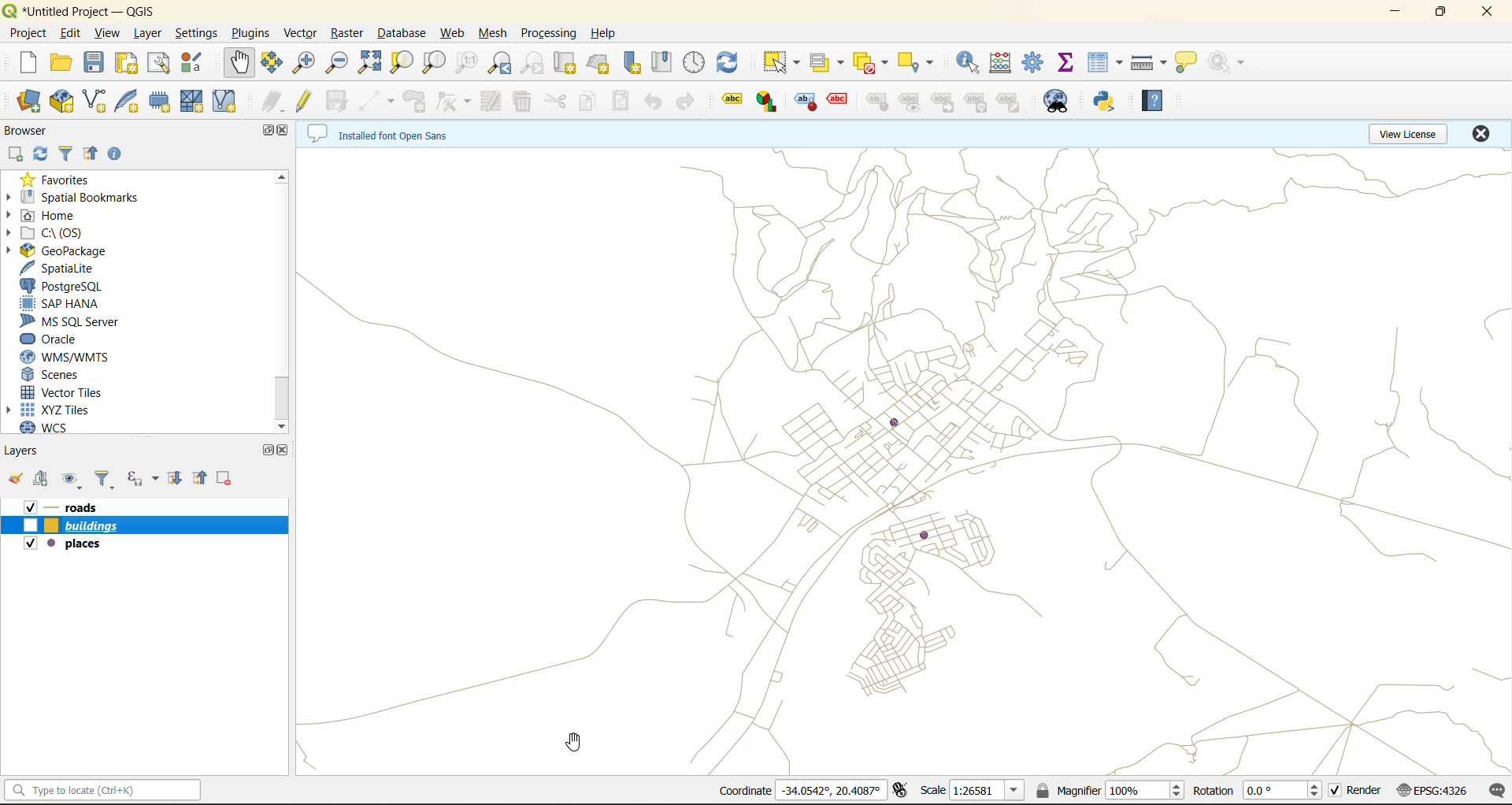 The width and height of the screenshot is (1512, 805). Describe the element at coordinates (1480, 11) in the screenshot. I see `close` at that location.